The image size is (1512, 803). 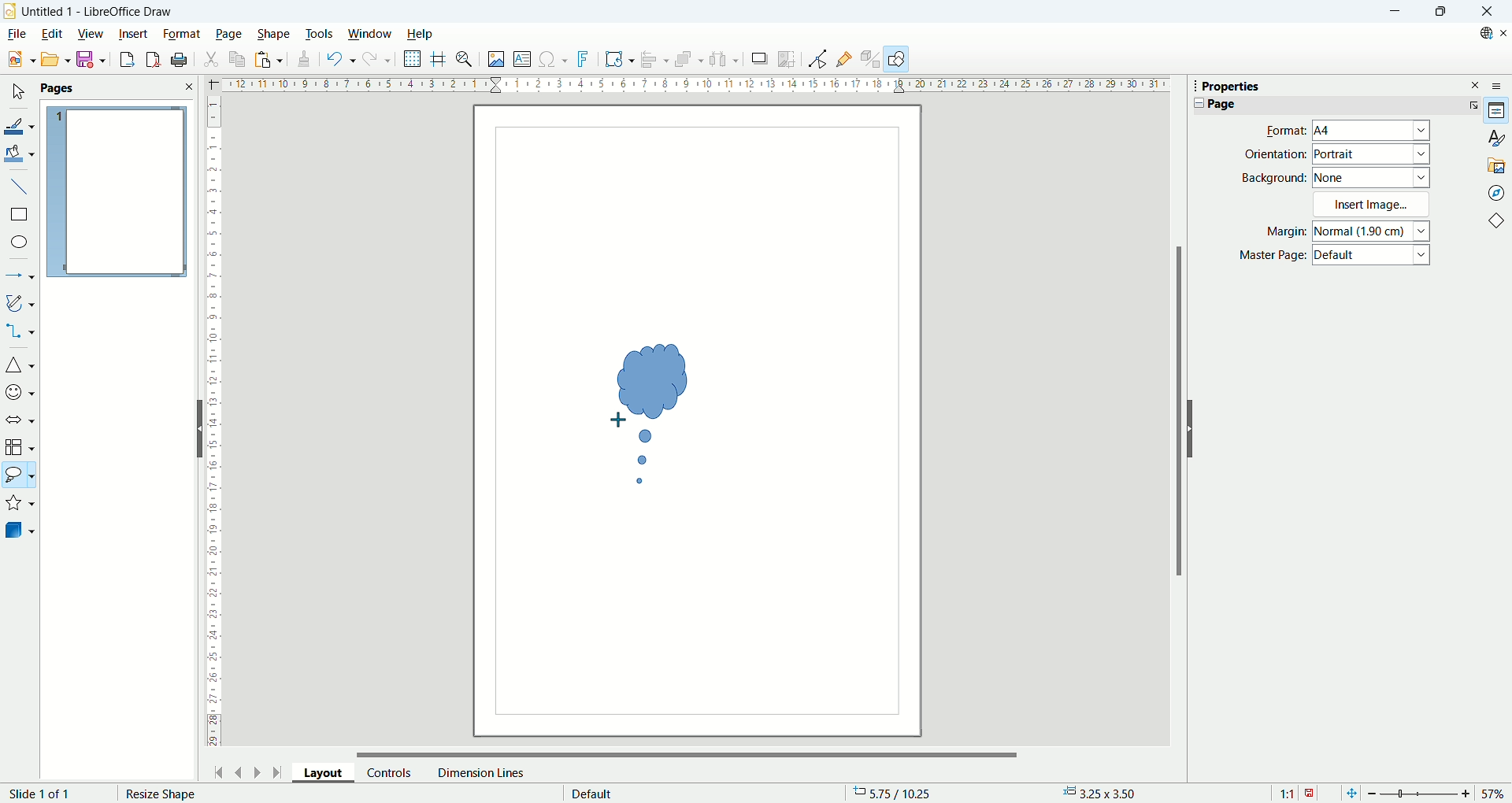 I want to click on minimize, so click(x=1393, y=12).